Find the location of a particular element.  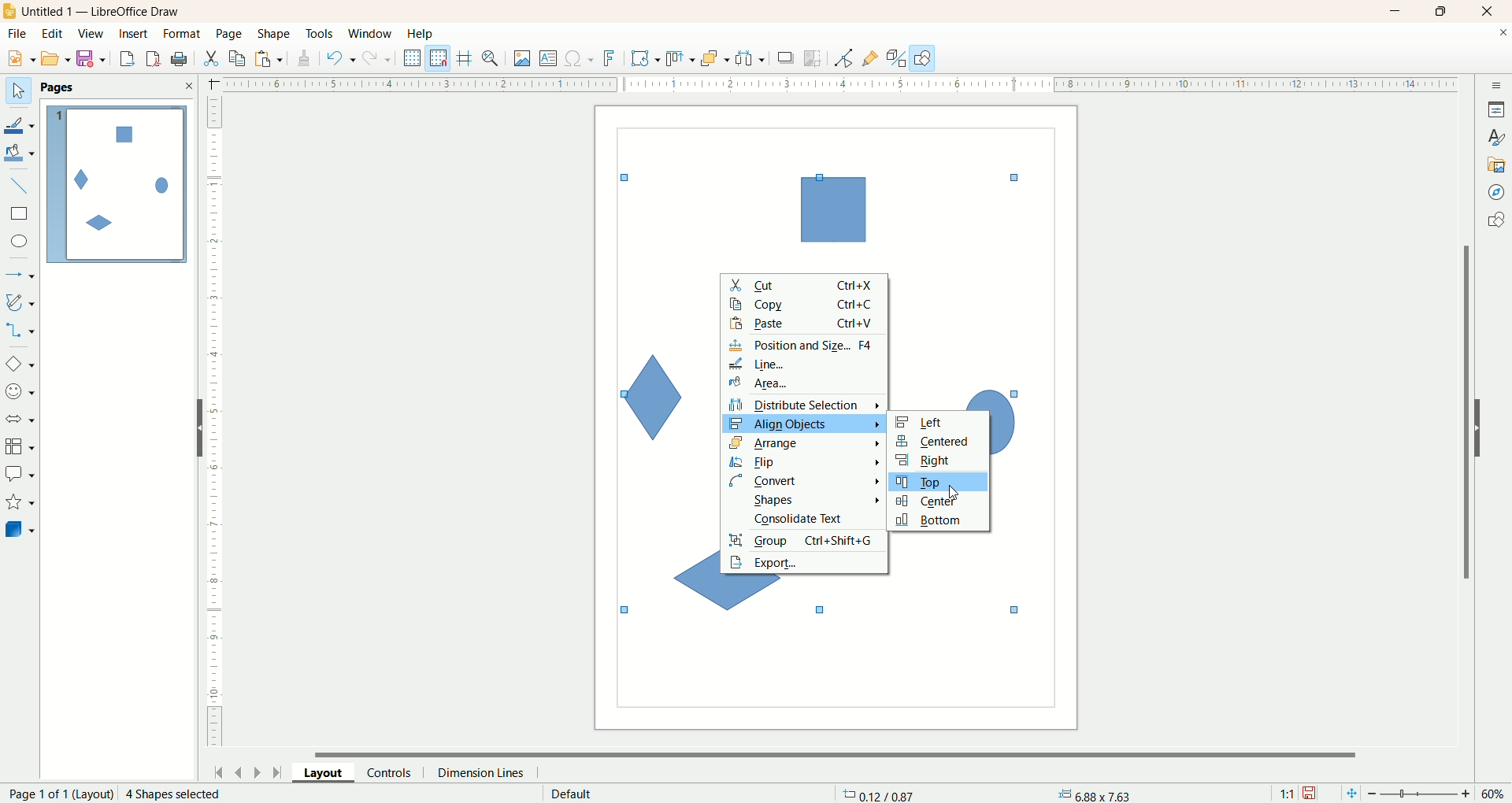

3dD object is located at coordinates (19, 529).